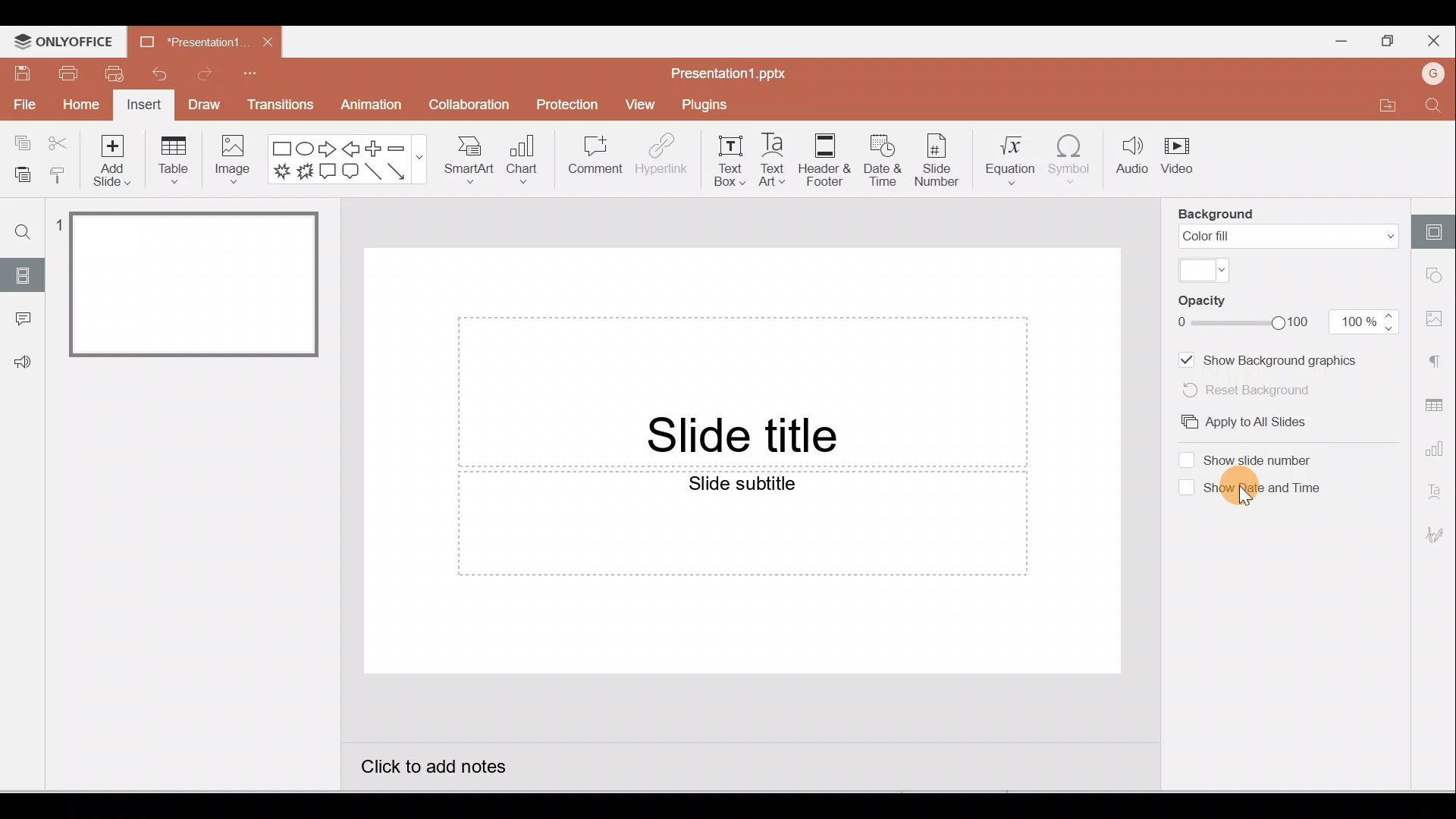 Image resolution: width=1456 pixels, height=819 pixels. I want to click on Maximise, so click(1384, 41).